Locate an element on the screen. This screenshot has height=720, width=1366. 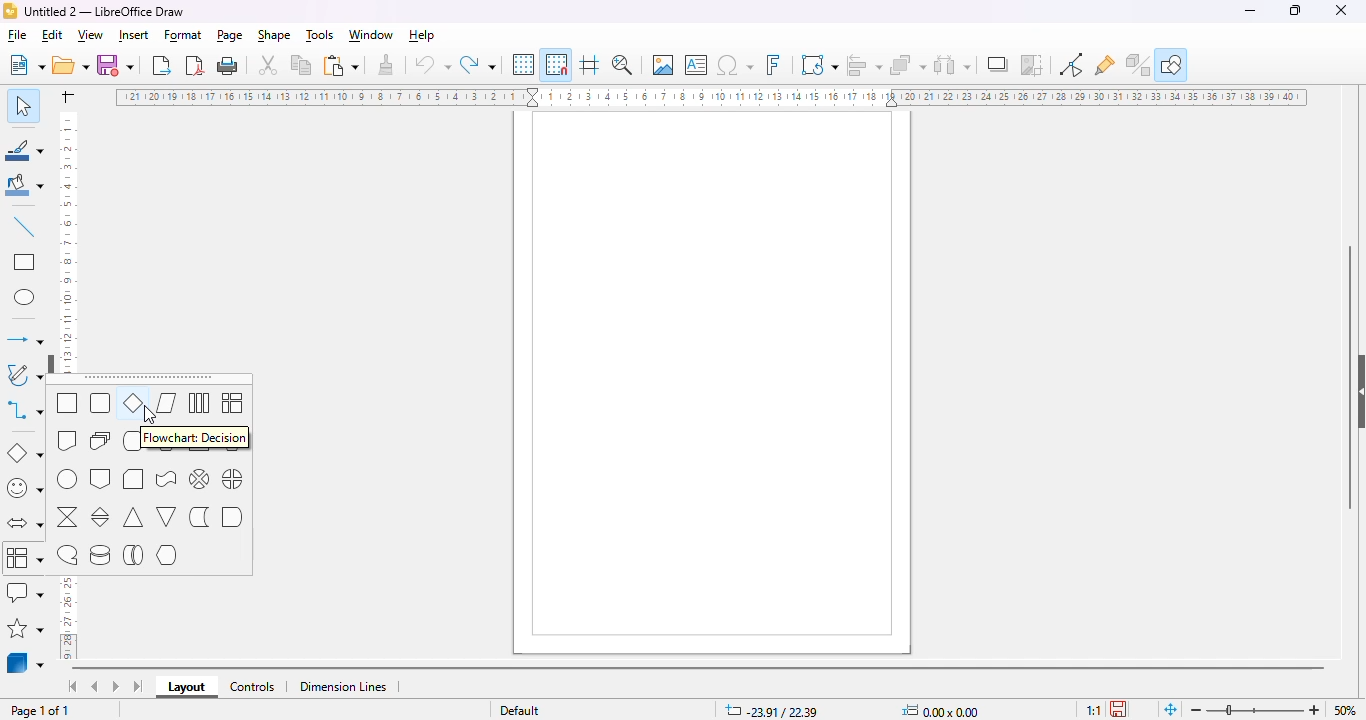
undo is located at coordinates (432, 65).